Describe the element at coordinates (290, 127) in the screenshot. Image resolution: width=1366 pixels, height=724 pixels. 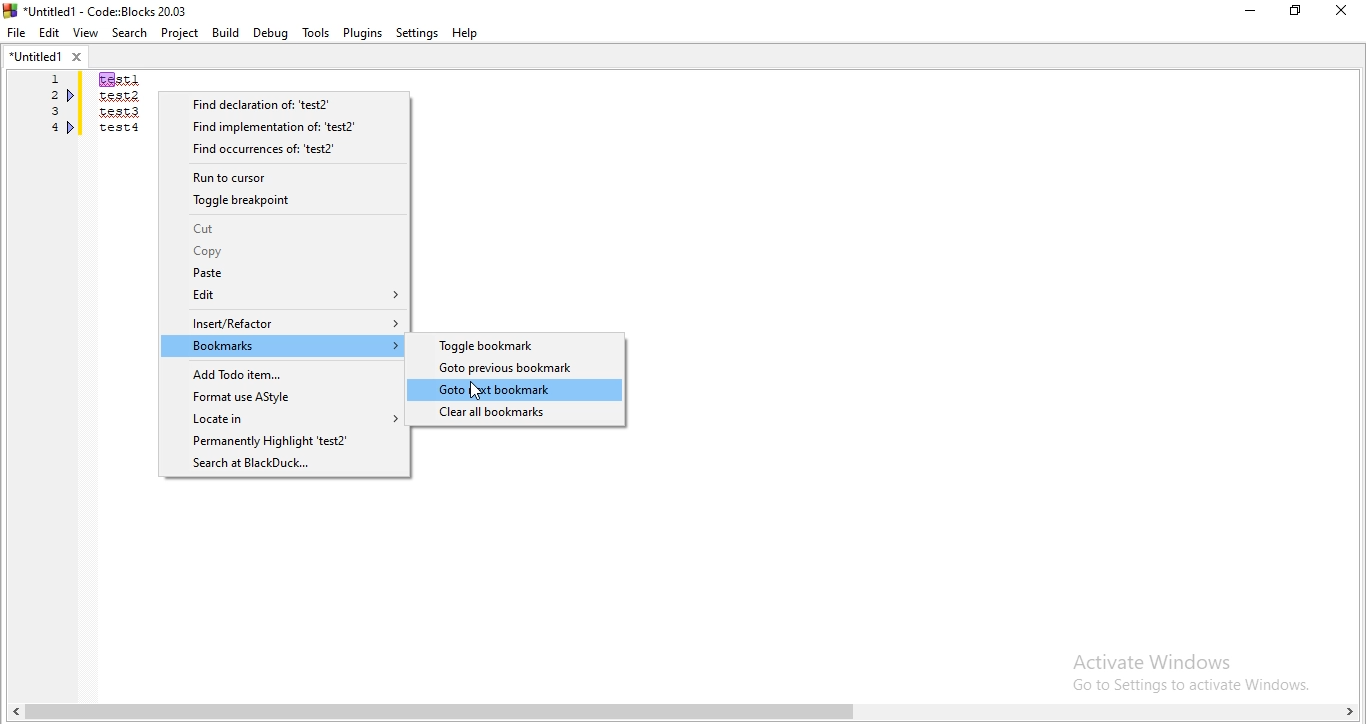
I see `Find implementation of 'test2"` at that location.